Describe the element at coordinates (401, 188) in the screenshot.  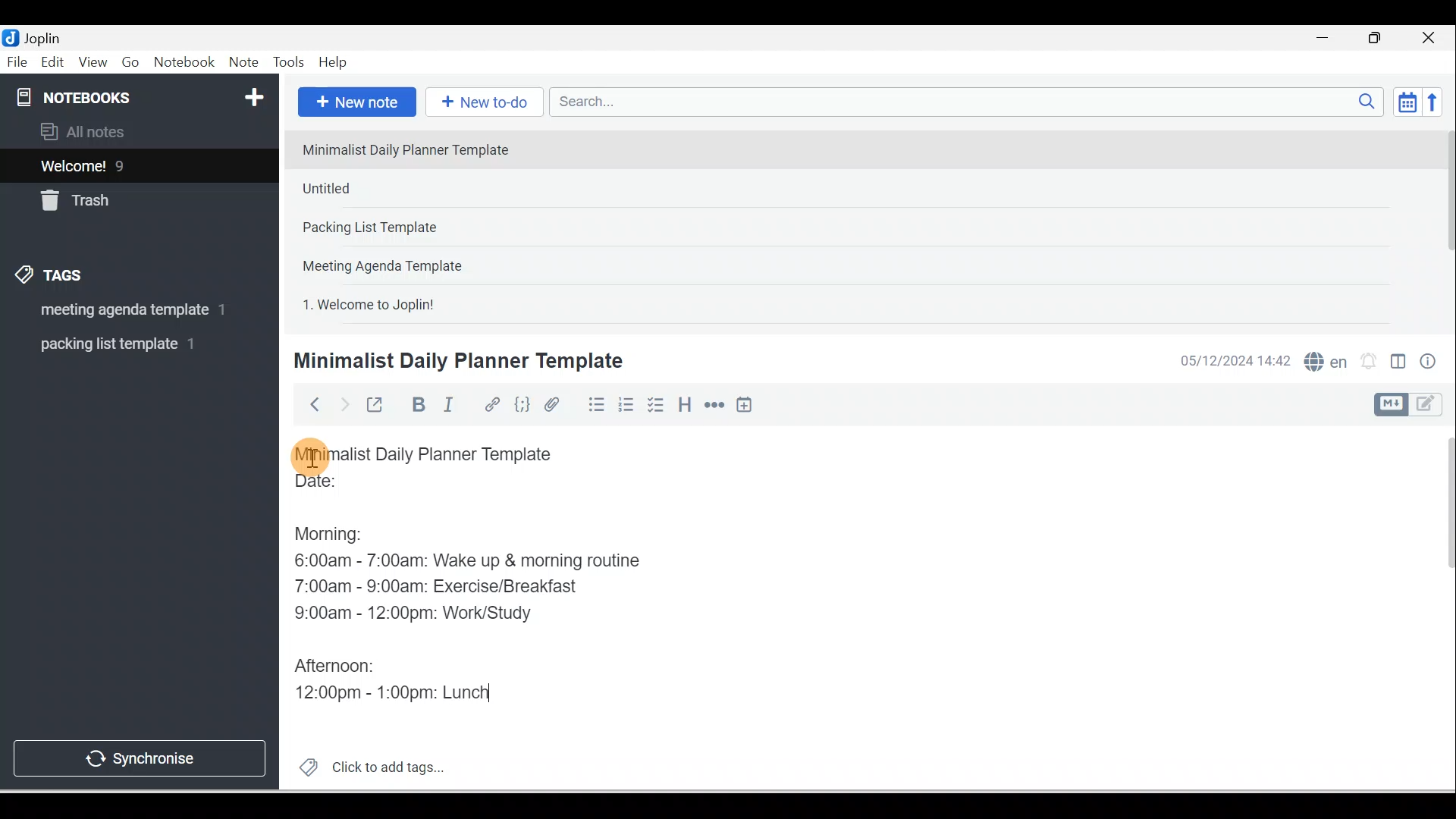
I see `Note 2` at that location.